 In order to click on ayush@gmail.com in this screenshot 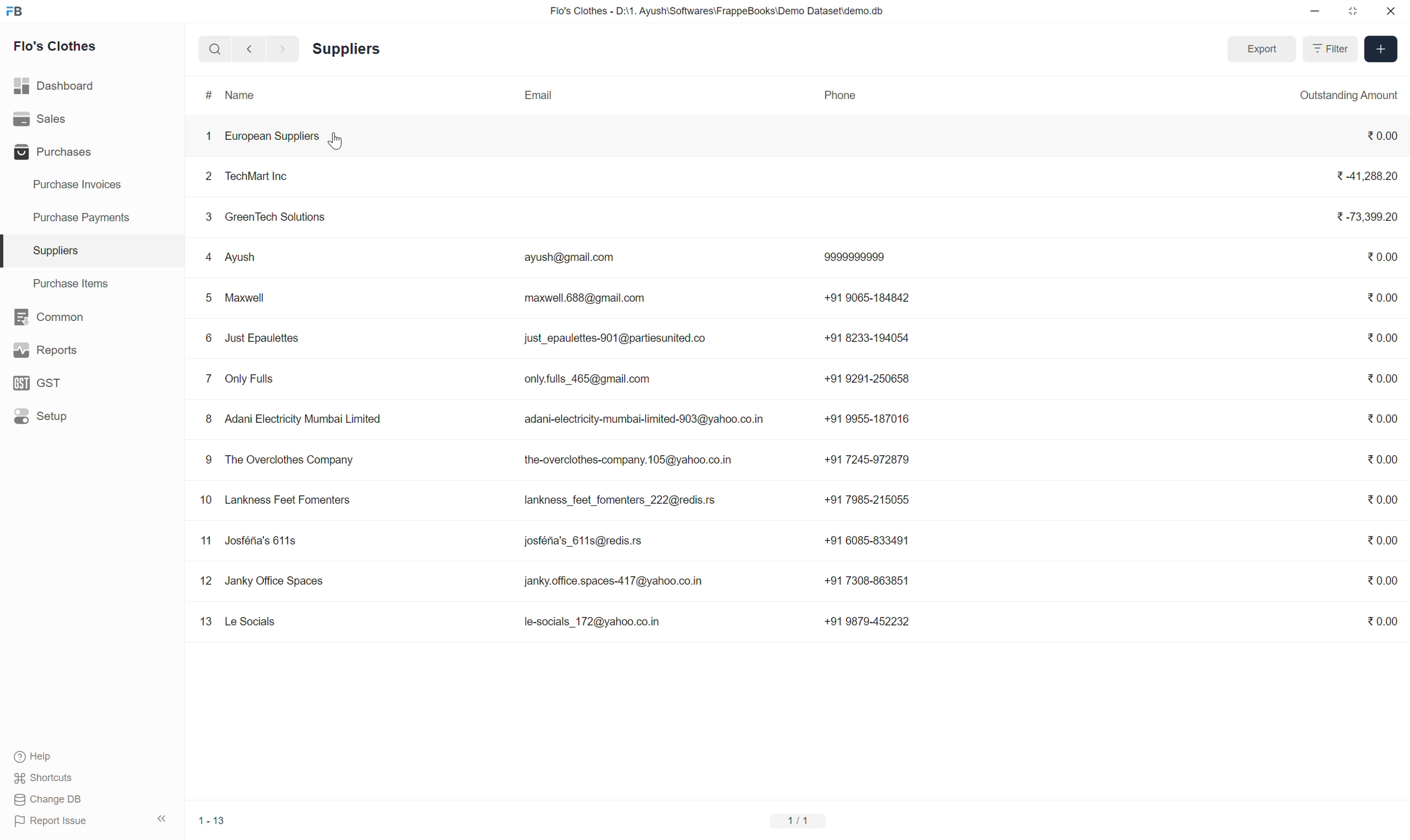, I will do `click(566, 256)`.